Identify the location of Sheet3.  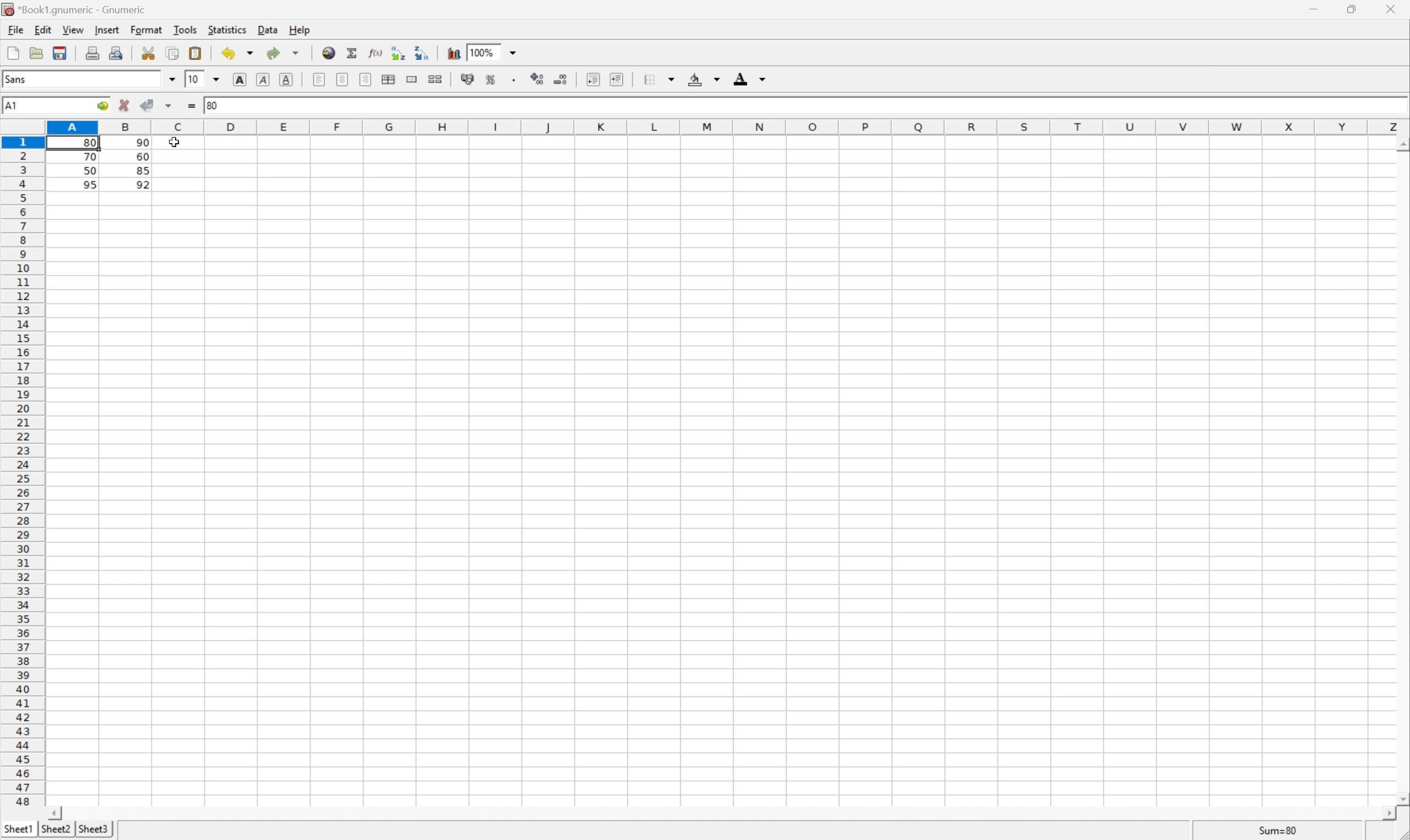
(93, 829).